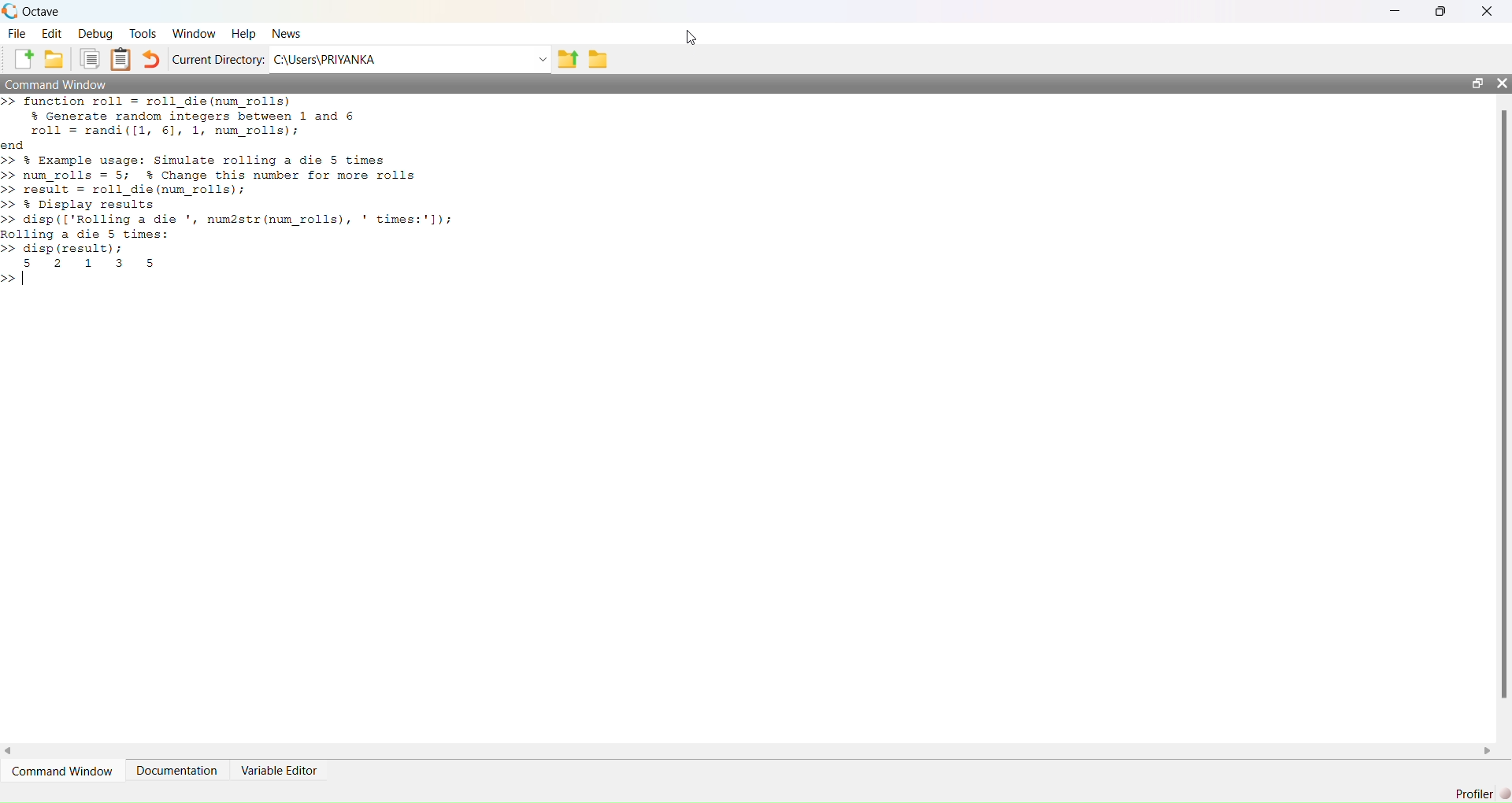 Image resolution: width=1512 pixels, height=803 pixels. I want to click on logo, so click(11, 12).